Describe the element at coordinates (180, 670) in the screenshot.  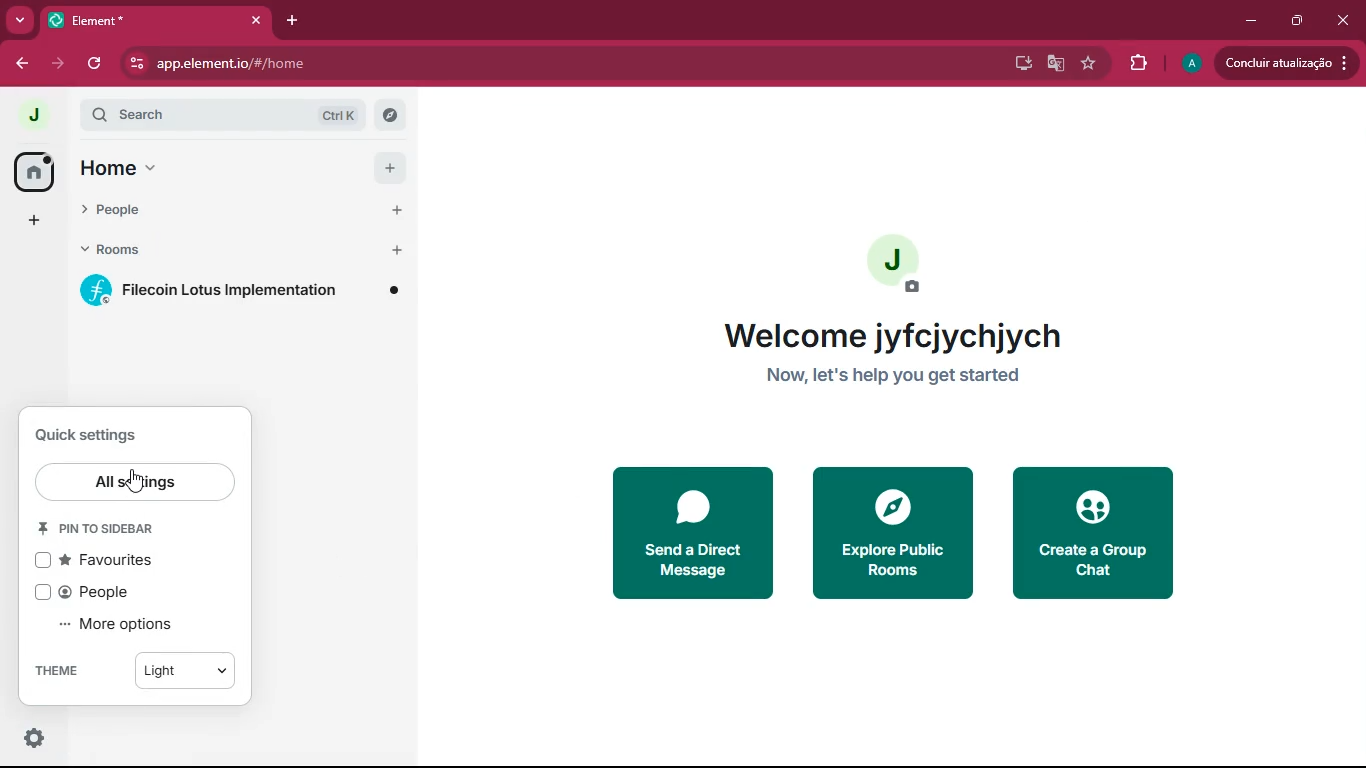
I see `light` at that location.